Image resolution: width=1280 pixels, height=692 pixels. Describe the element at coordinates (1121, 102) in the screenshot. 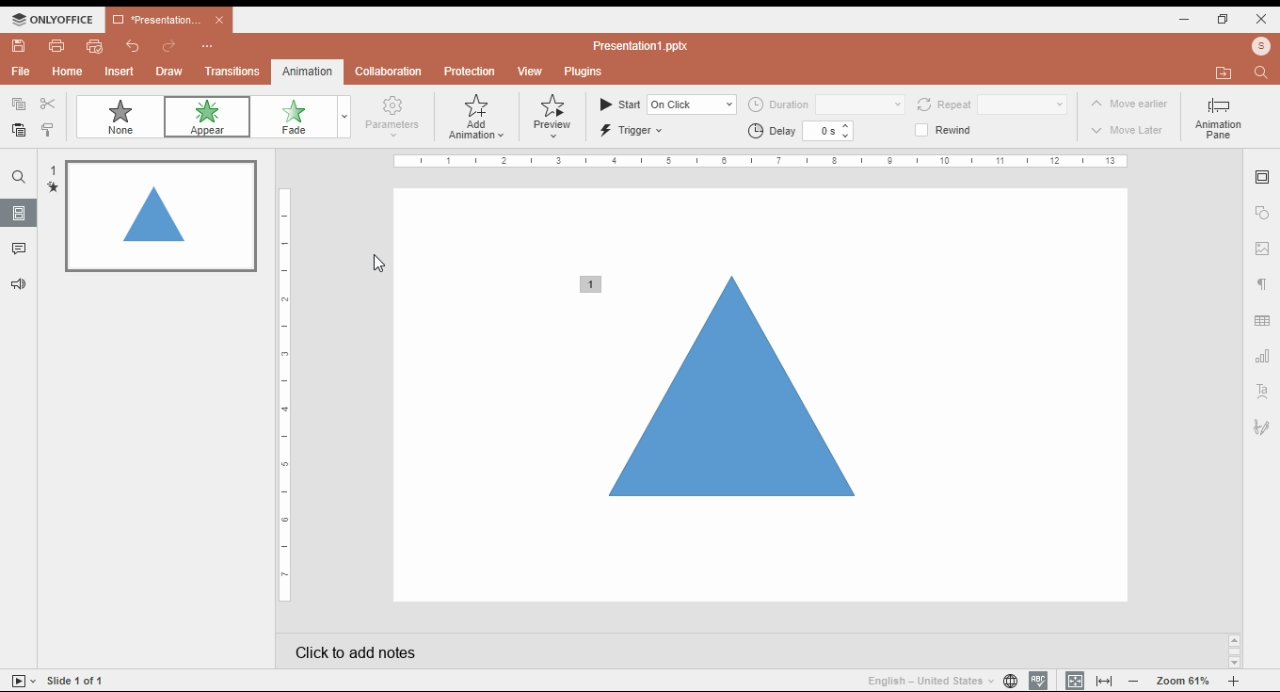

I see `move erlier` at that location.